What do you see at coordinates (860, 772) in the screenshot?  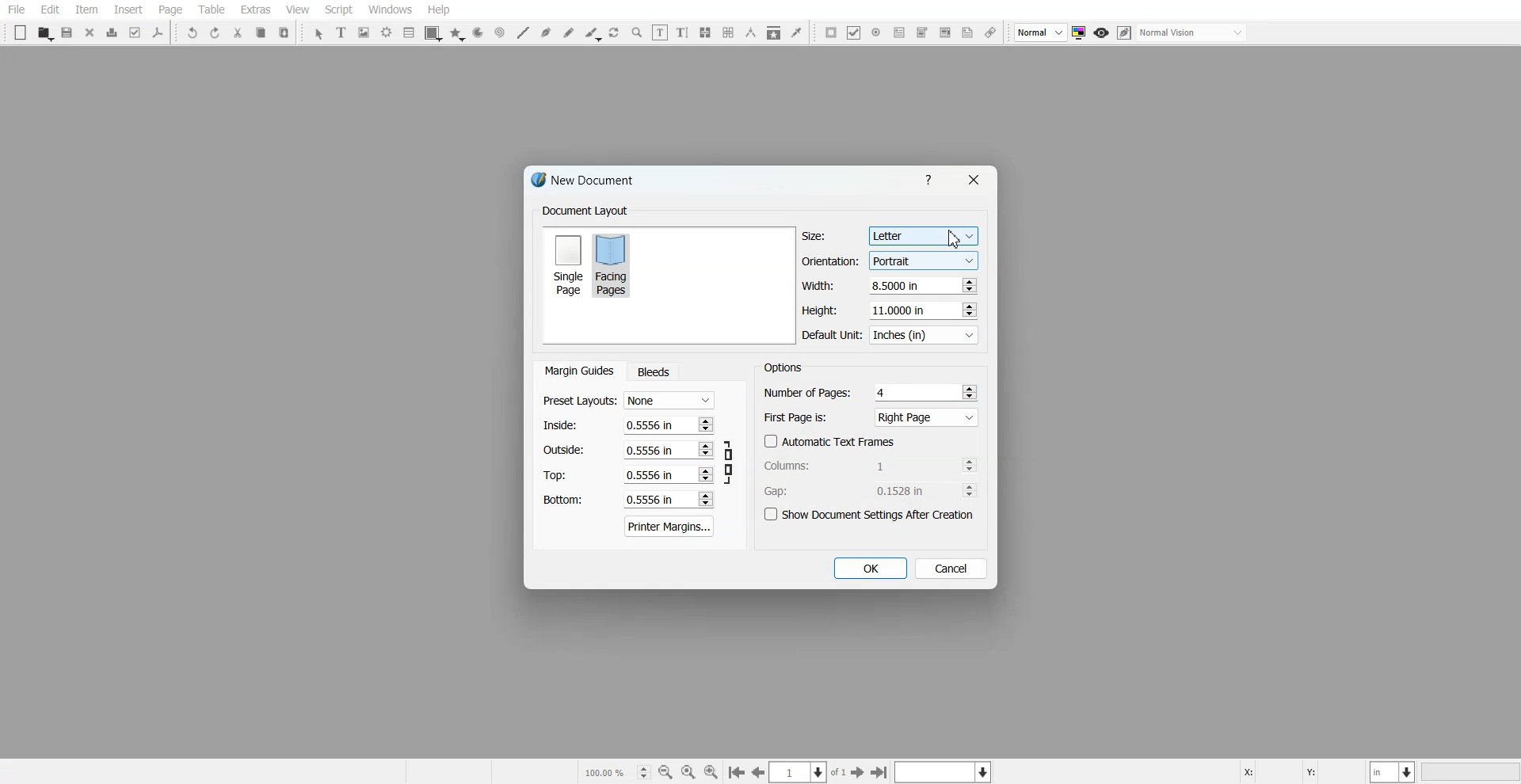 I see `Go to the First page` at bounding box center [860, 772].